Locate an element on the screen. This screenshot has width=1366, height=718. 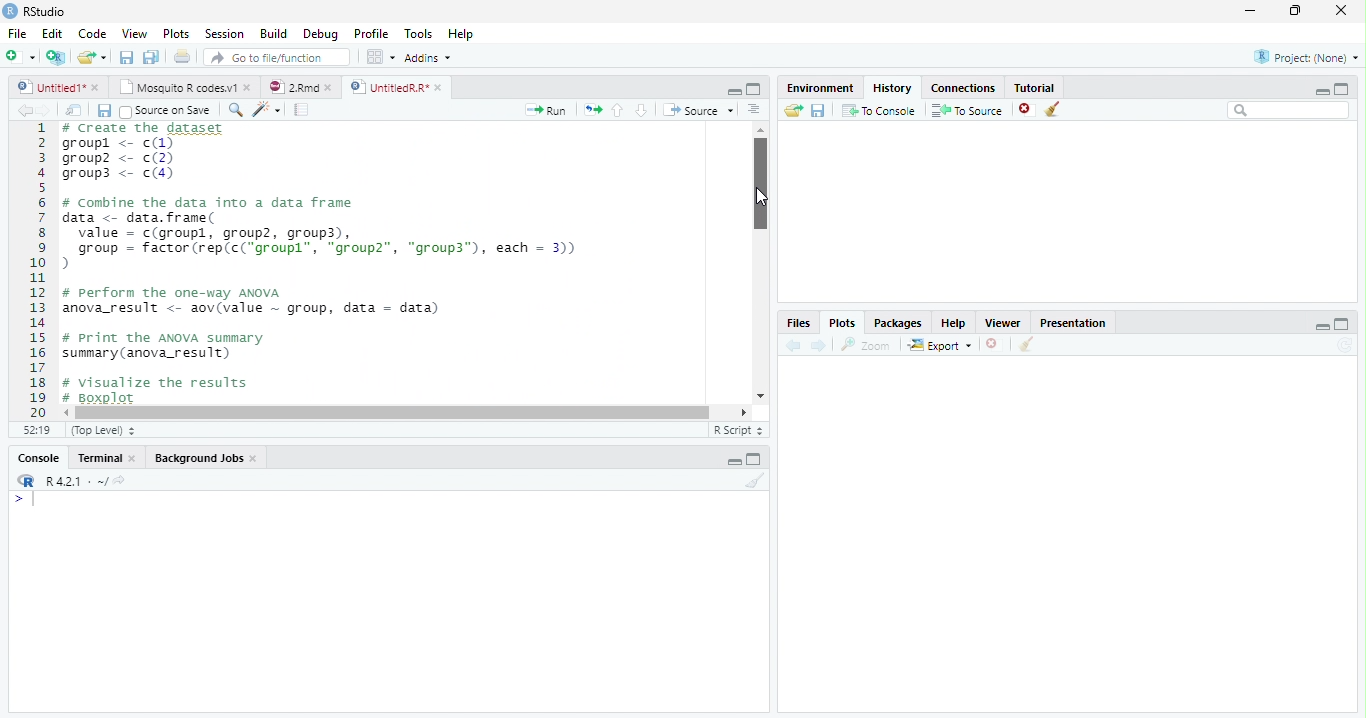
Project (None) is located at coordinates (1305, 57).